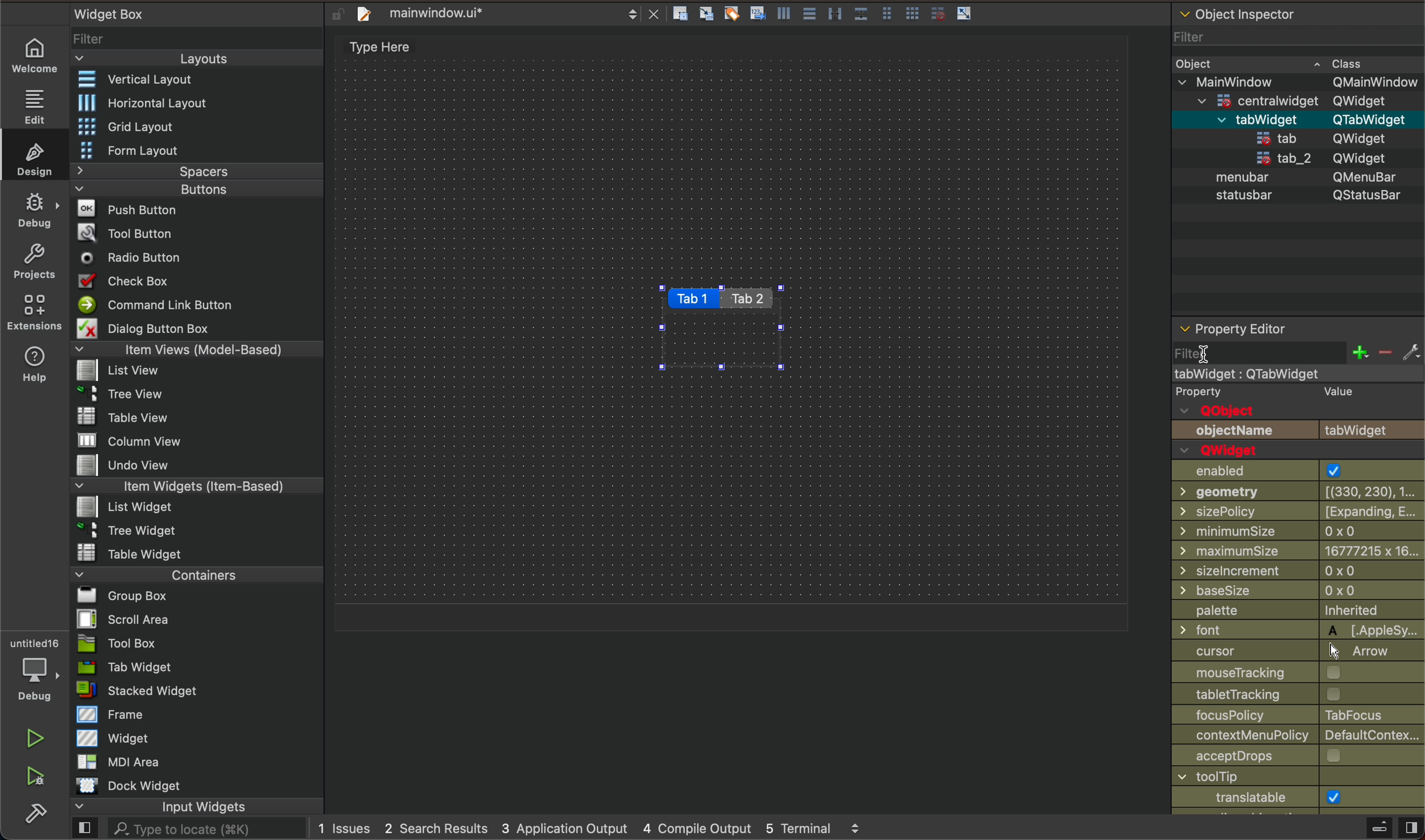 The image size is (1425, 840). Describe the element at coordinates (139, 327) in the screenshot. I see `Dialog Button Box` at that location.